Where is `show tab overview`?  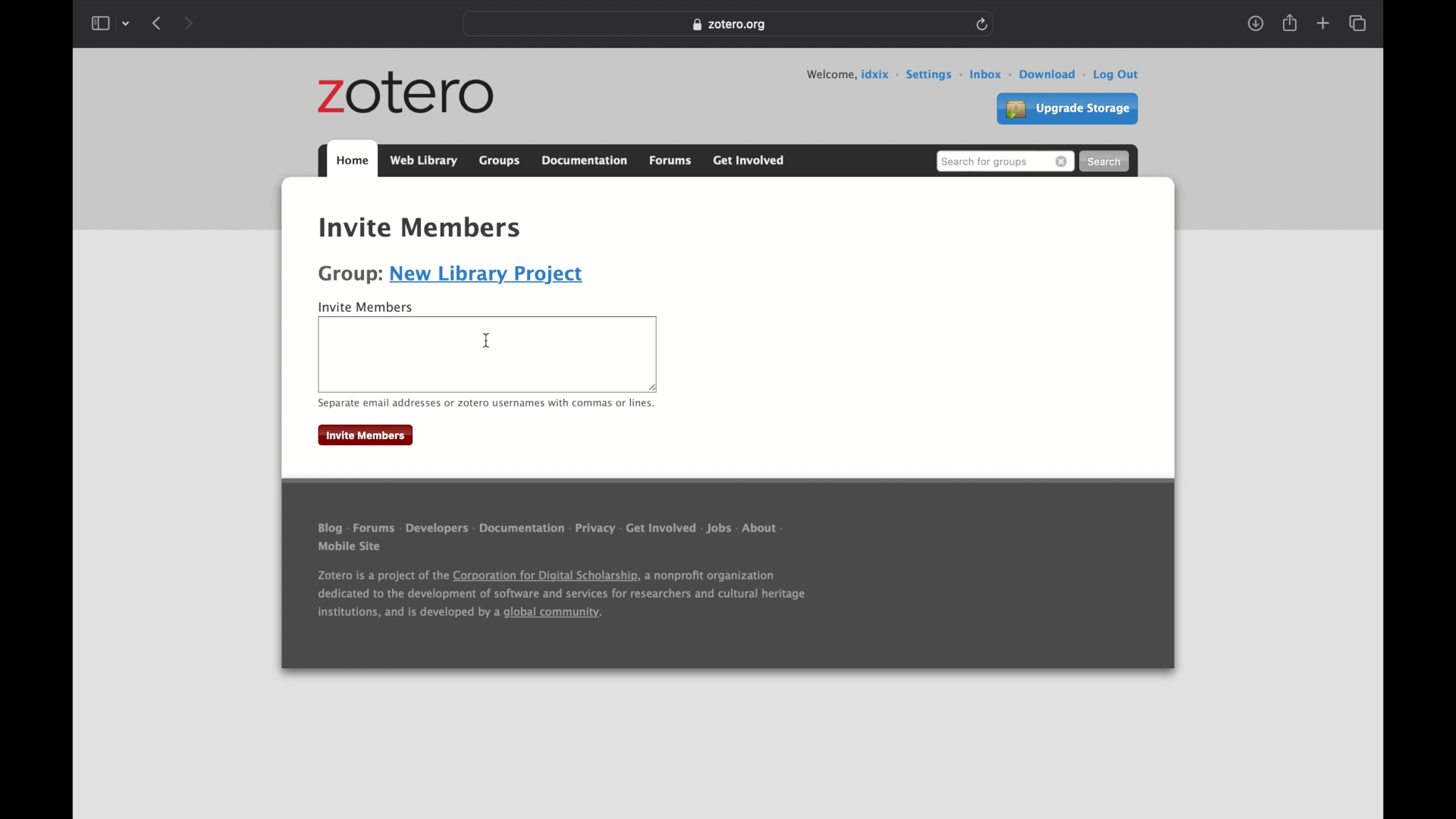 show tab overview is located at coordinates (1357, 24).